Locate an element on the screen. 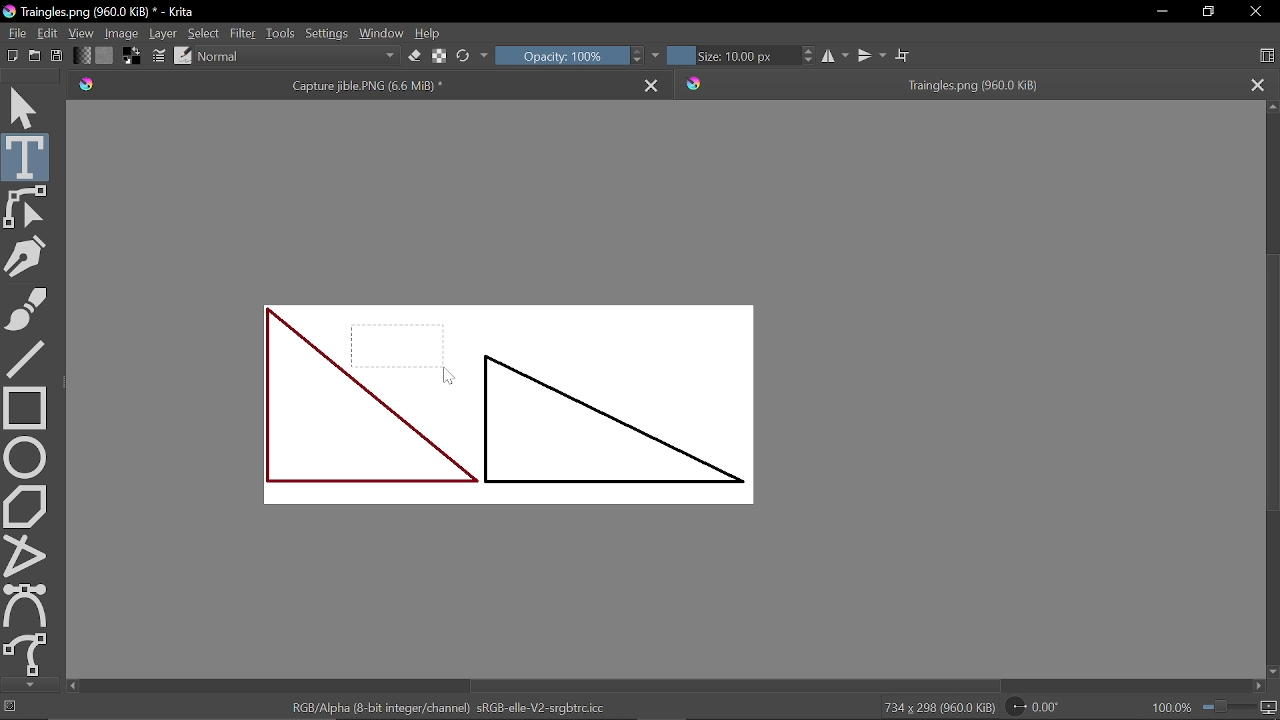 Image resolution: width=1280 pixels, height=720 pixels. Image is located at coordinates (120, 34).